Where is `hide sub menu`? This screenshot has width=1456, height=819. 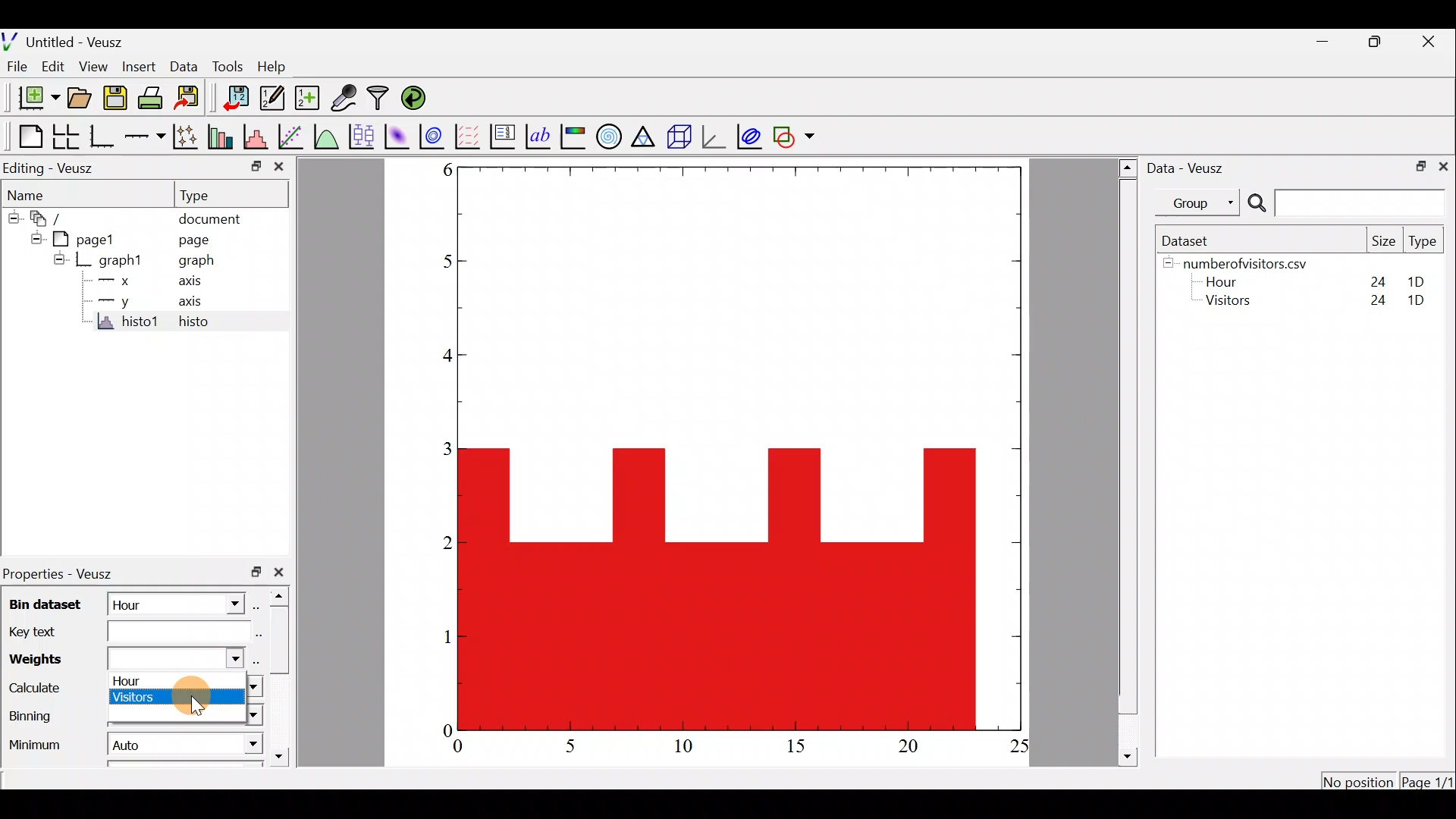
hide sub menu is located at coordinates (33, 239).